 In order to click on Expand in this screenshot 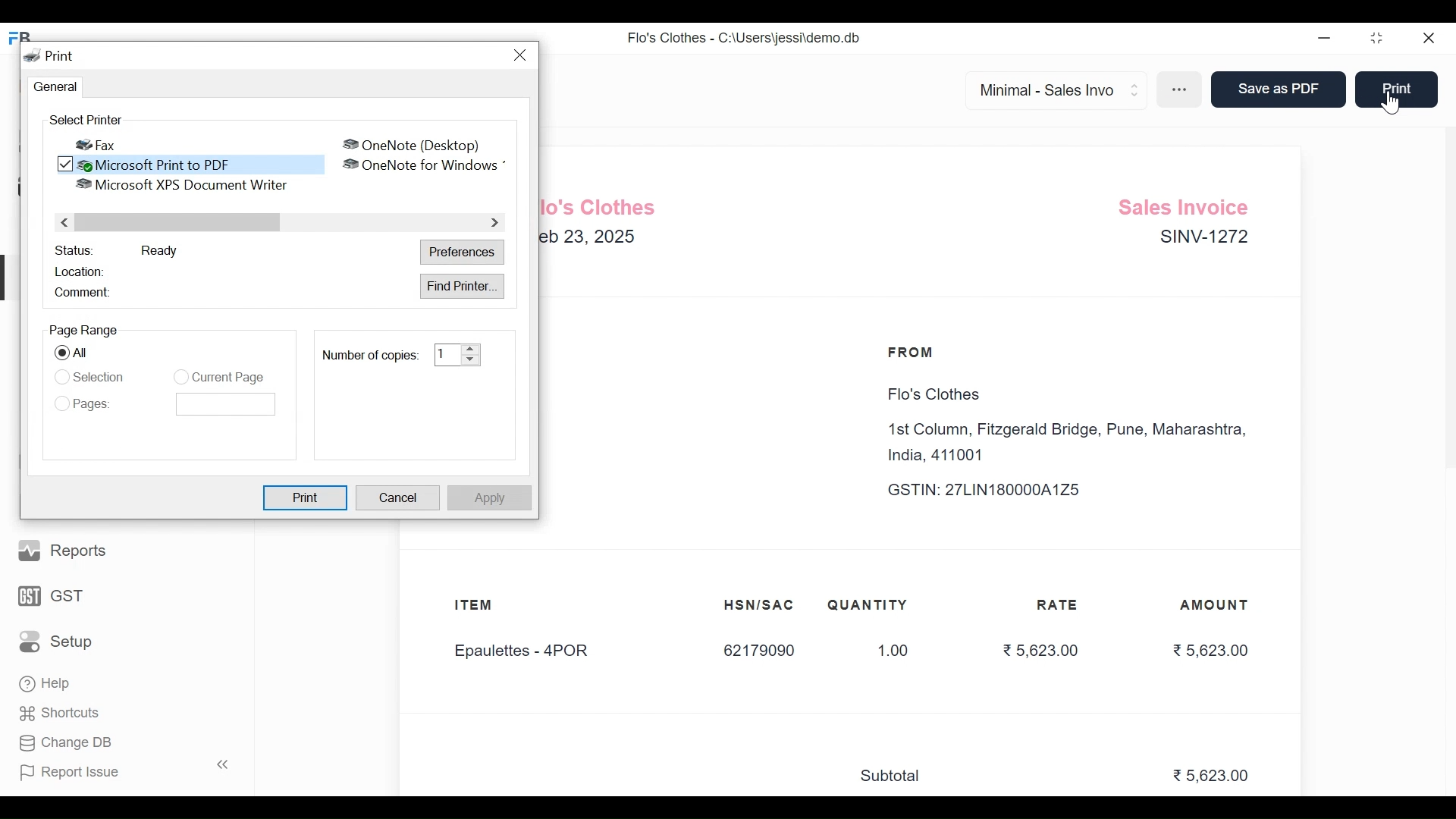, I will do `click(471, 354)`.